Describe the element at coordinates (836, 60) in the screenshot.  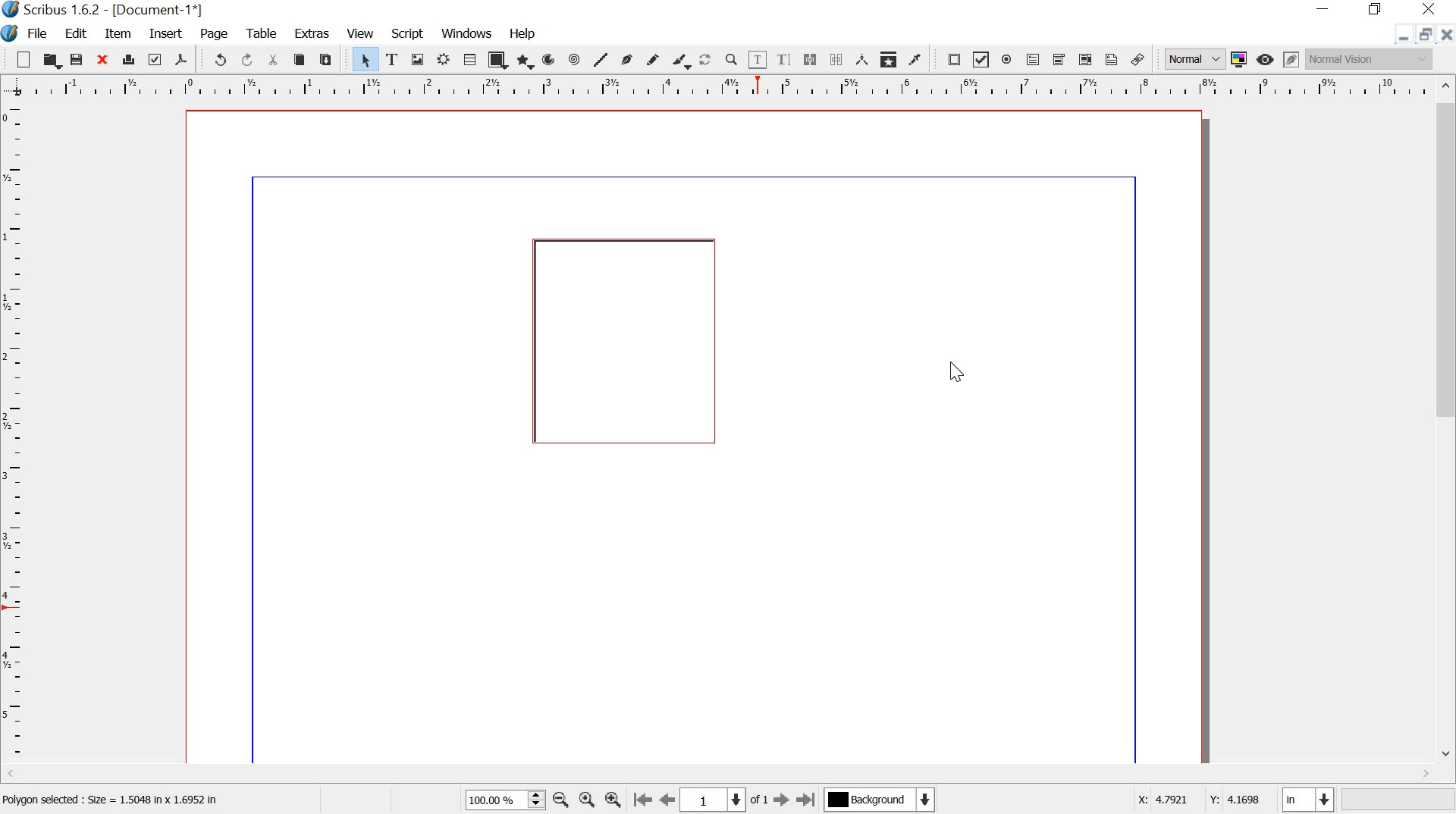
I see `unlink text frames` at that location.